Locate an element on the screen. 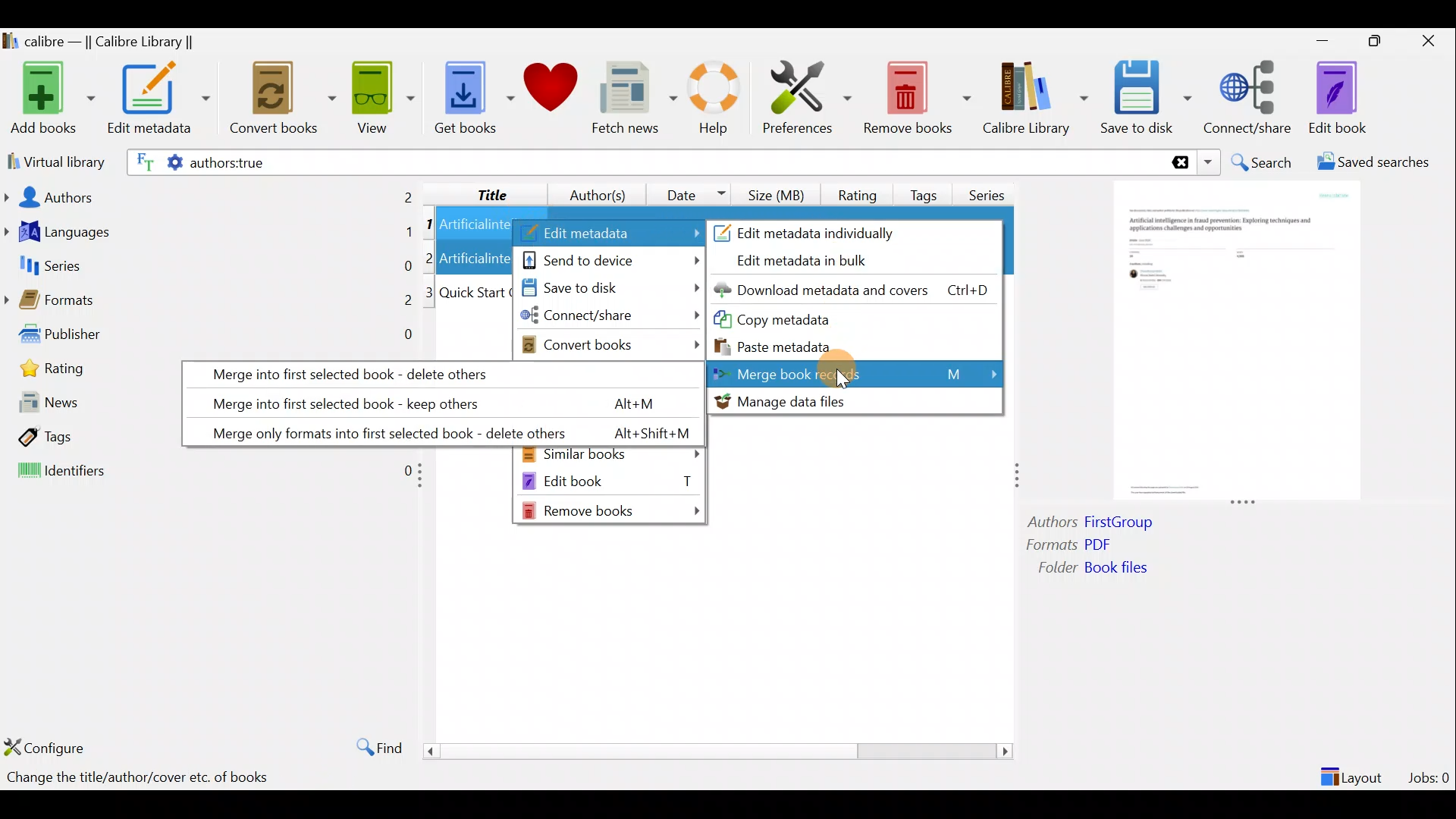  Help is located at coordinates (711, 100).